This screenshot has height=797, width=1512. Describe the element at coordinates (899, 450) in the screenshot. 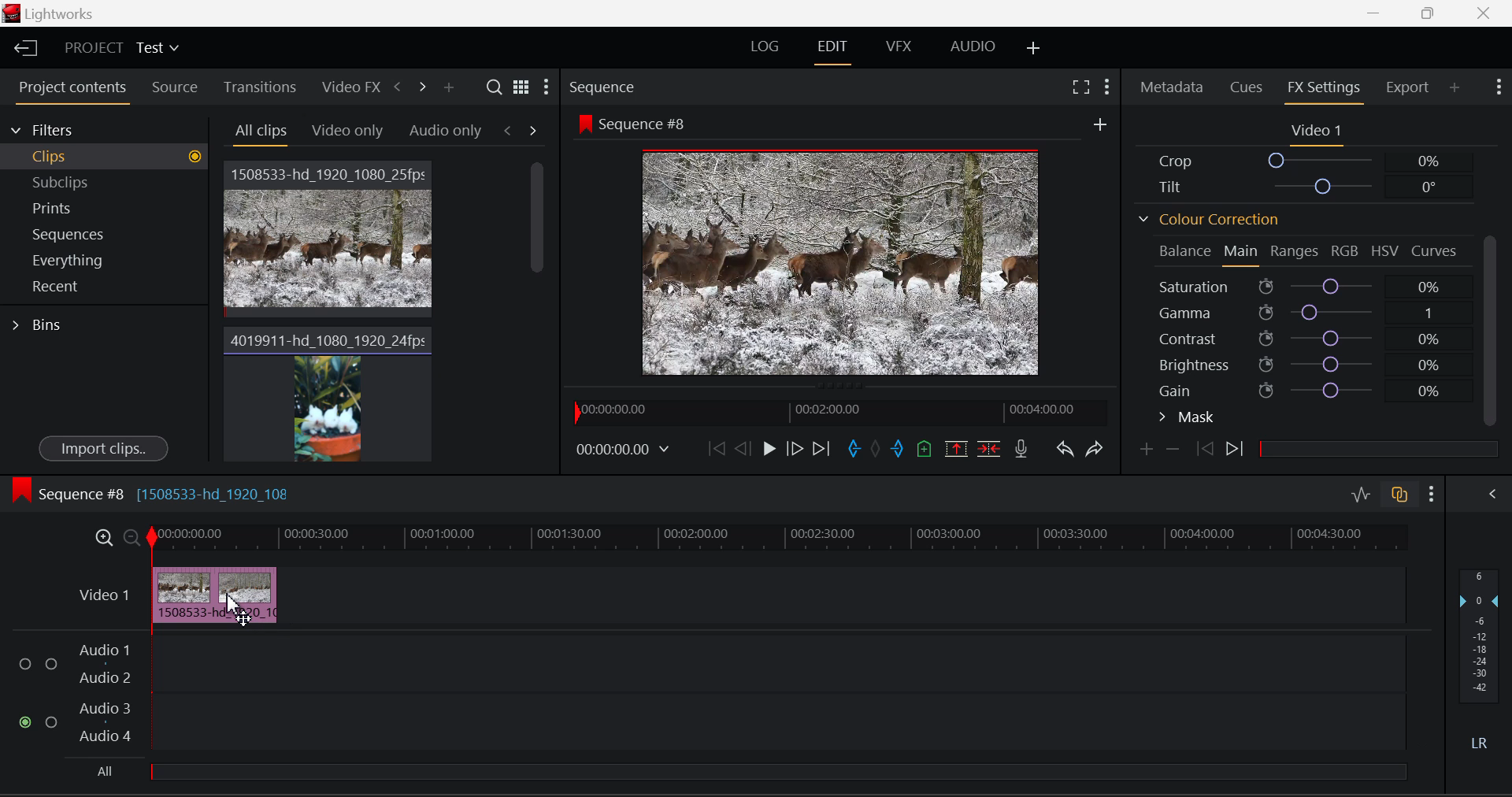

I see `Cut Out` at that location.